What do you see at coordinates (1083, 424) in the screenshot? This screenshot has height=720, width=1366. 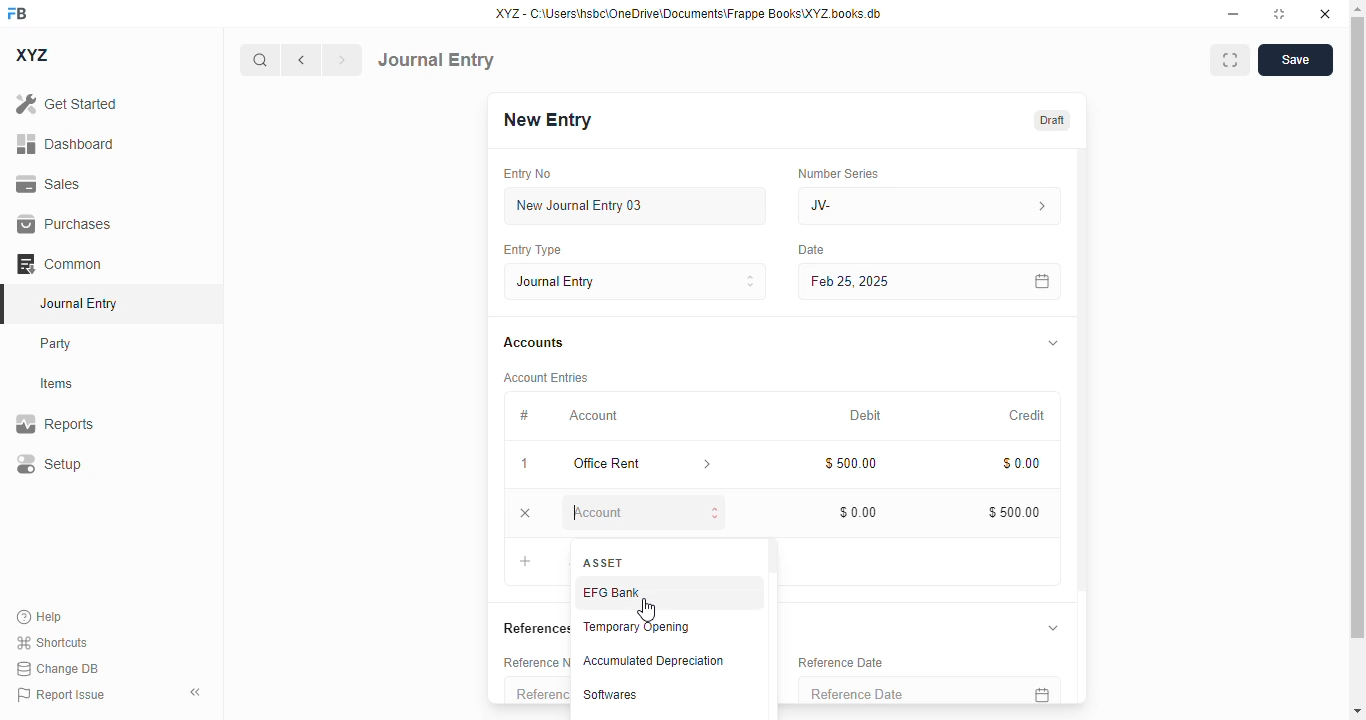 I see `scroll bar` at bounding box center [1083, 424].